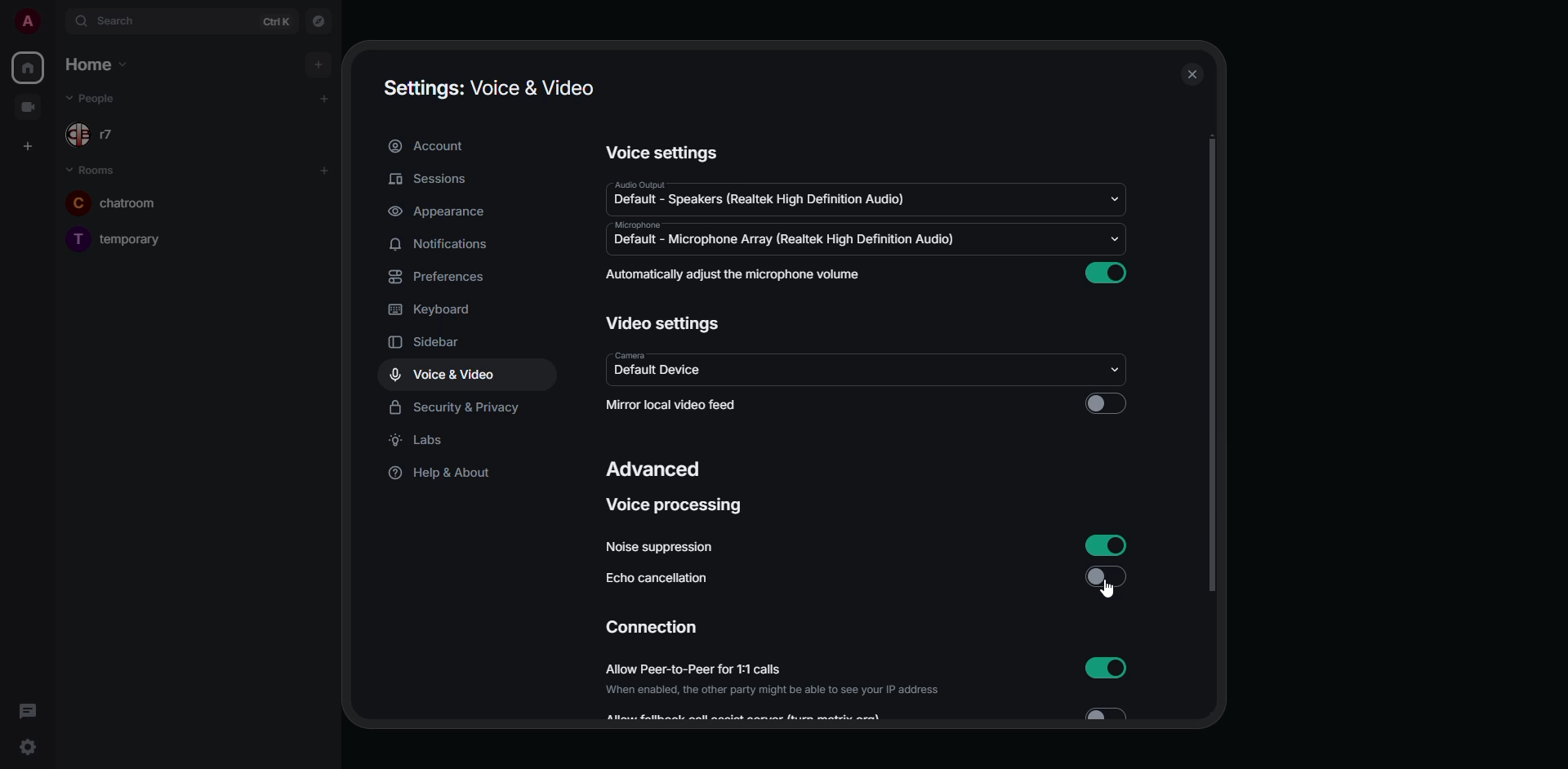  I want to click on allow peer-to-peer for 1:1 calls, so click(774, 678).